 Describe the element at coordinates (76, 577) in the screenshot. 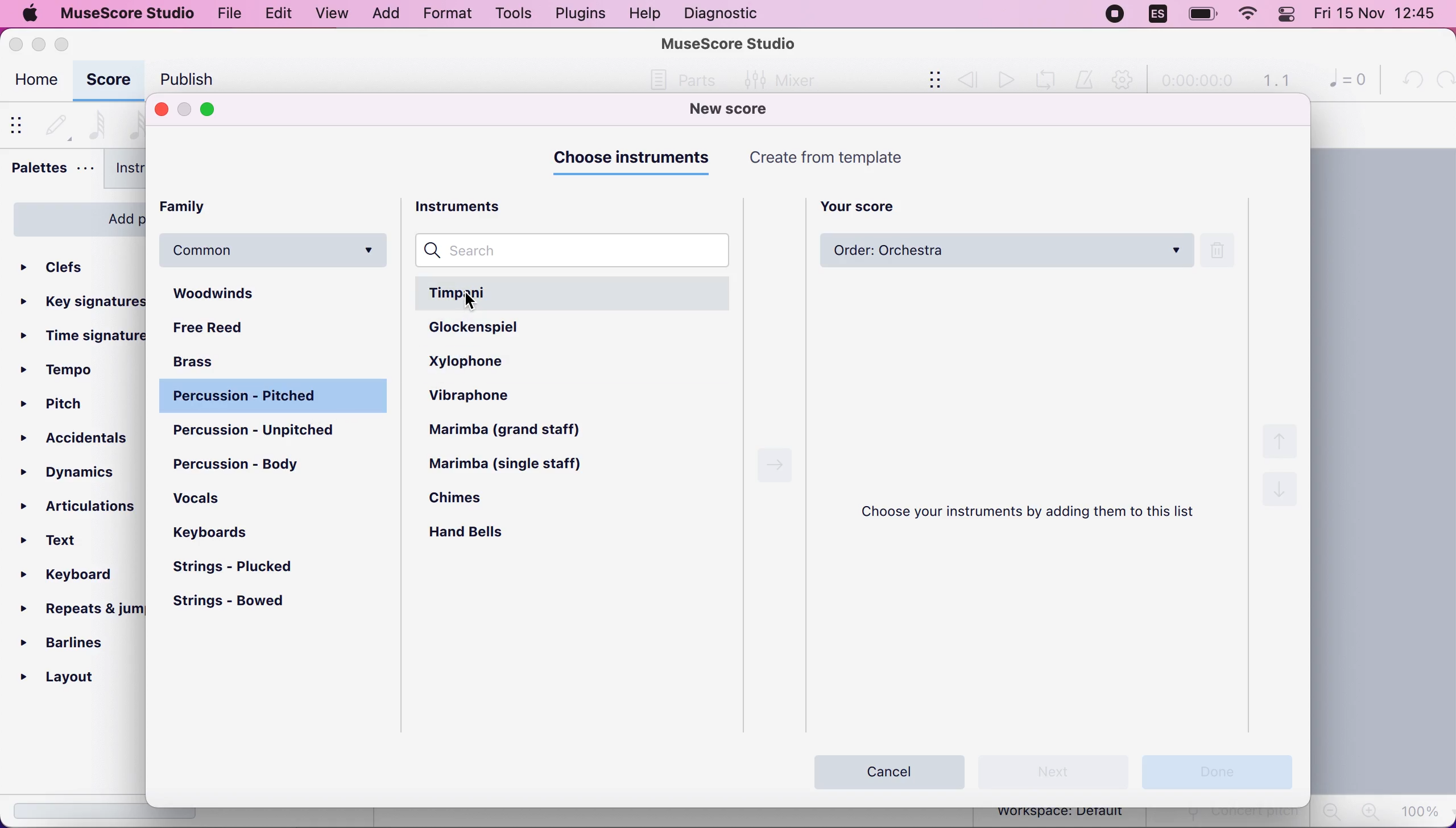

I see `keyboard` at that location.